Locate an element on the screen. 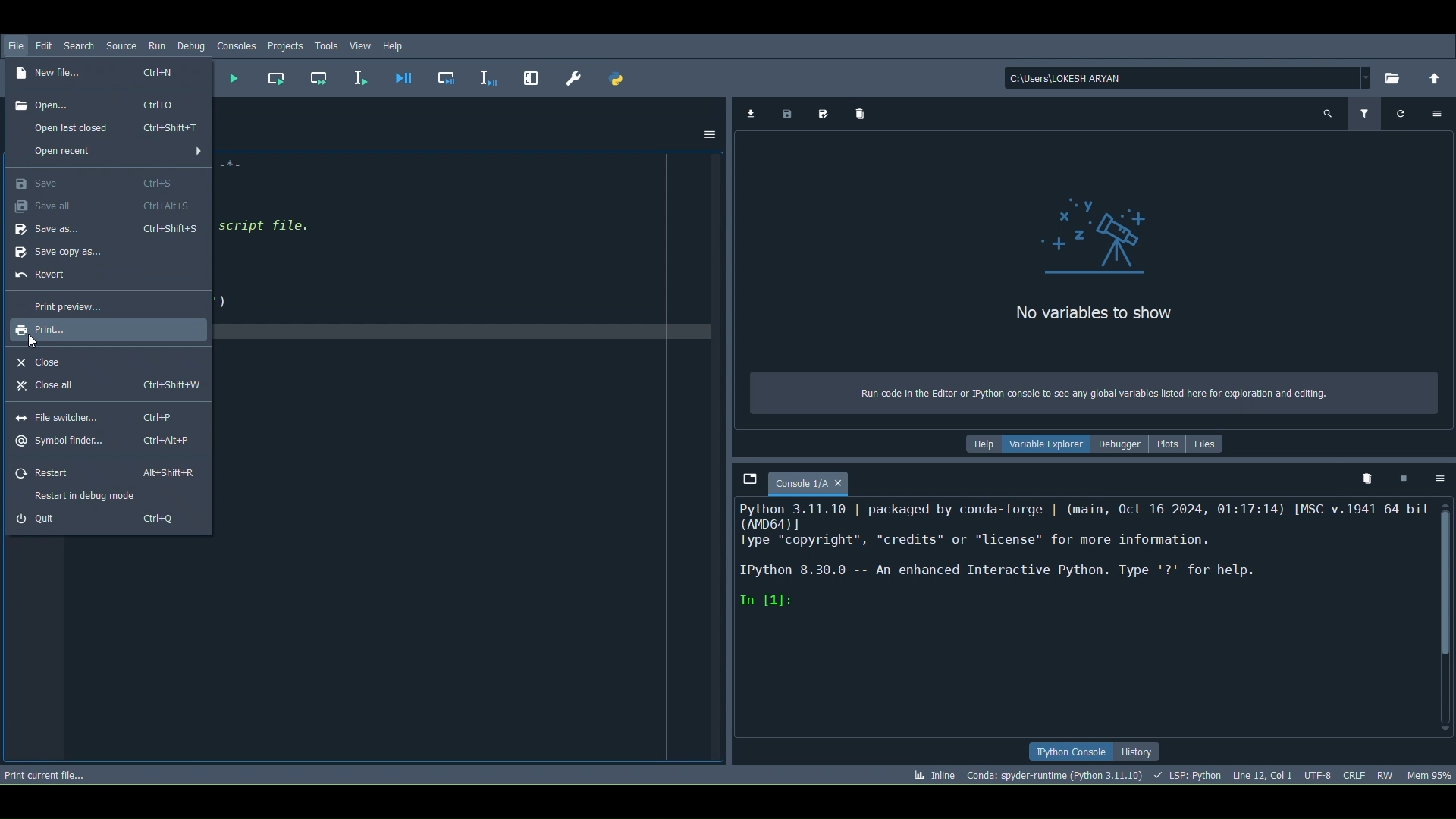 This screenshot has height=819, width=1456. Change to parent directory is located at coordinates (1433, 80).